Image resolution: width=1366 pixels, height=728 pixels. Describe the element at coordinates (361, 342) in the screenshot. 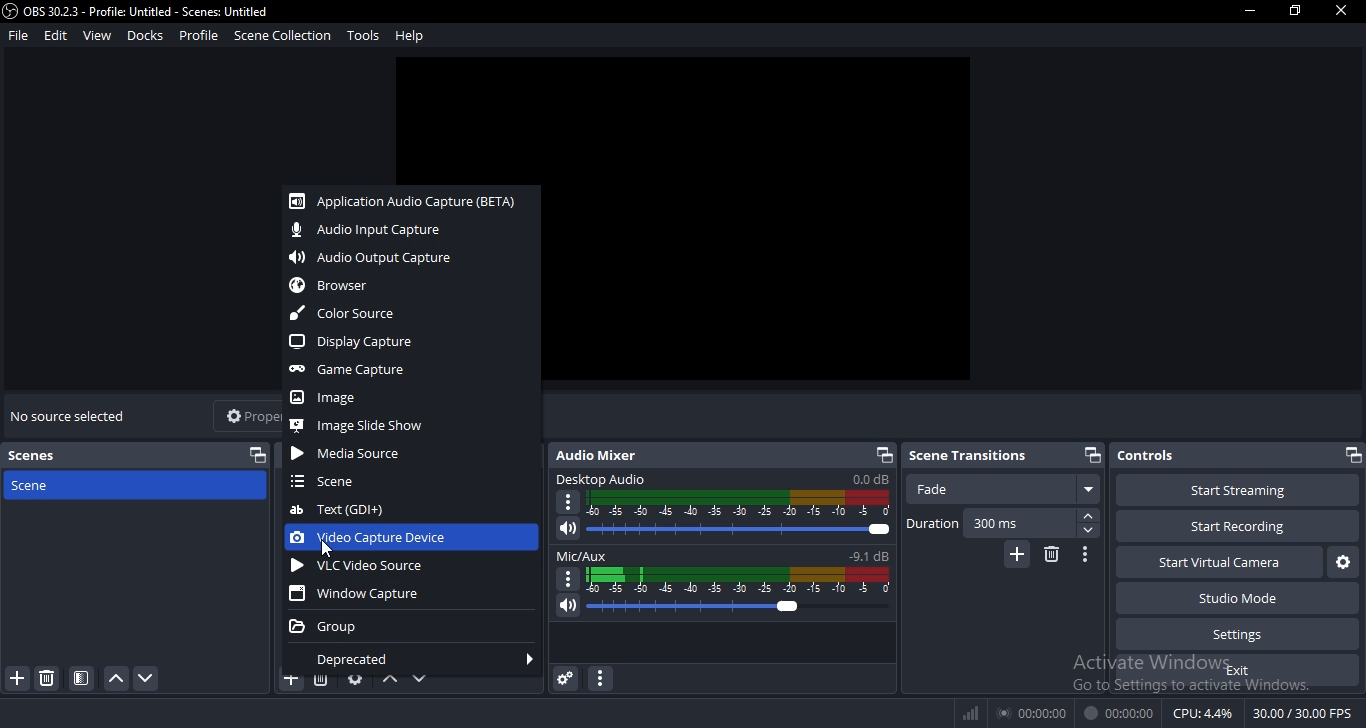

I see `display capture` at that location.